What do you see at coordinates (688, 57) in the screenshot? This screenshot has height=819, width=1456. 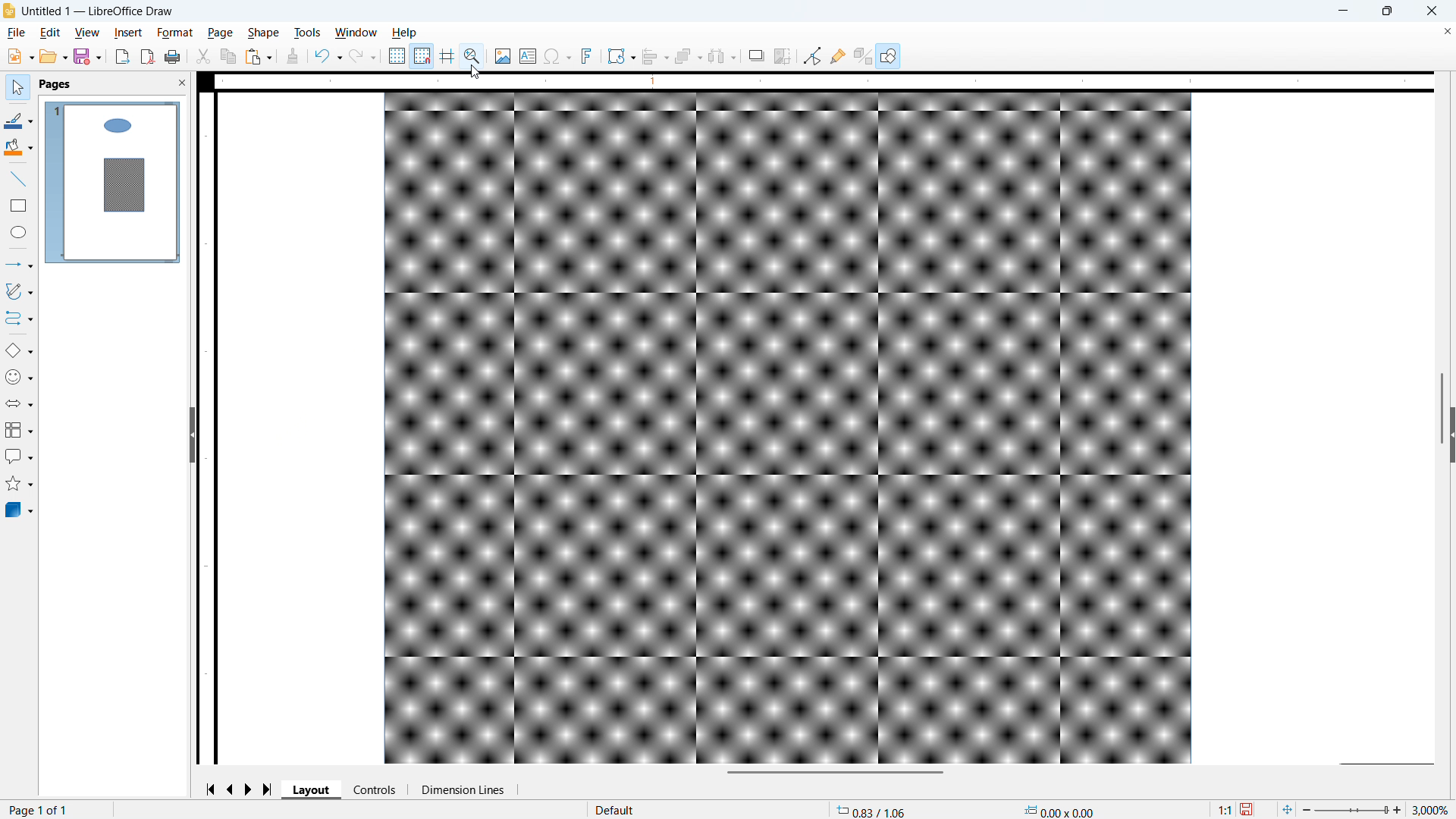 I see `Arrange ` at bounding box center [688, 57].